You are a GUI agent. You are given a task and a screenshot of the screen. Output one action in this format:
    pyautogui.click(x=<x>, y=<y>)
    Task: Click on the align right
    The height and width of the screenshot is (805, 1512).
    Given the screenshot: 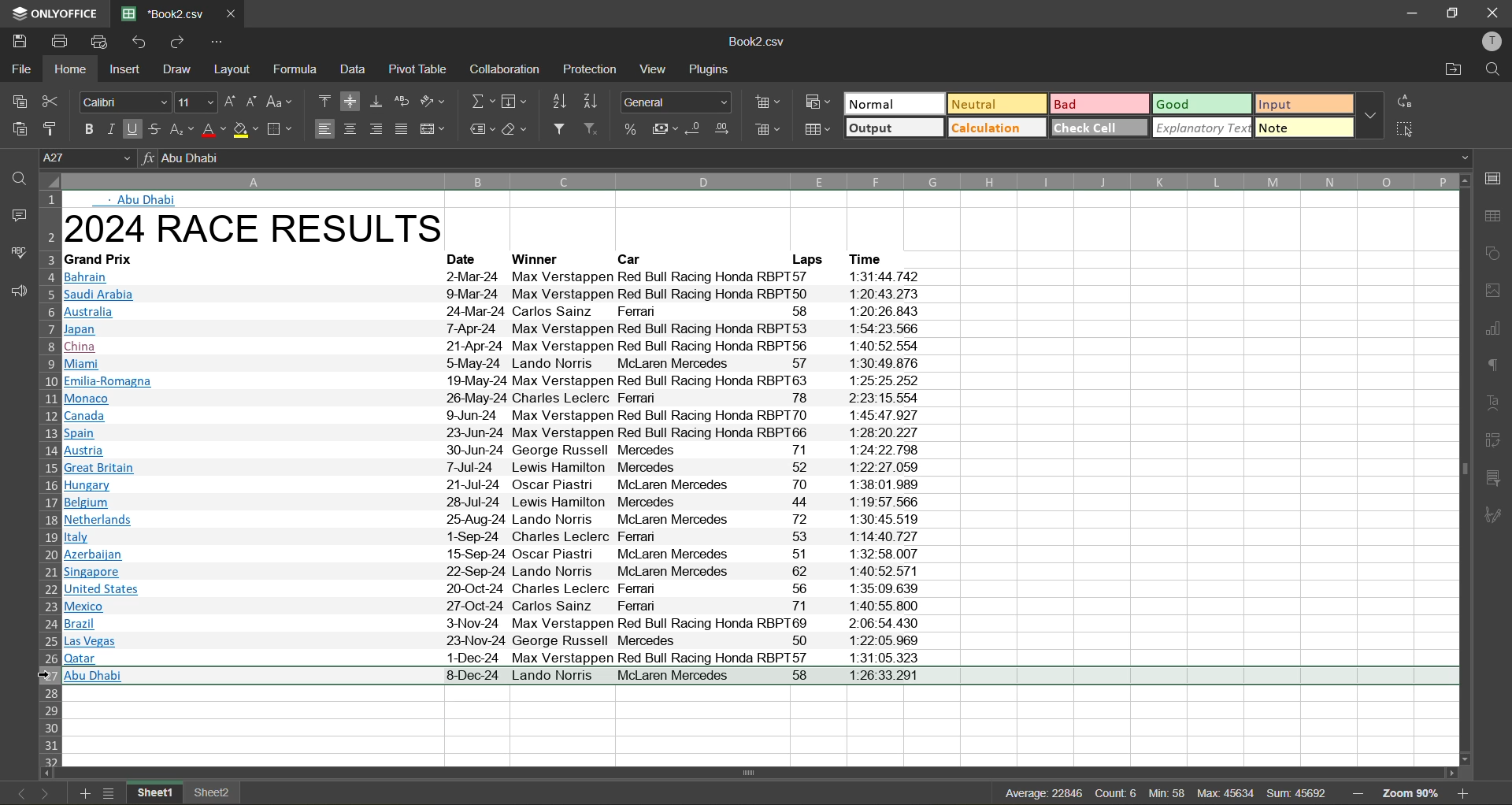 What is the action you would take?
    pyautogui.click(x=380, y=129)
    